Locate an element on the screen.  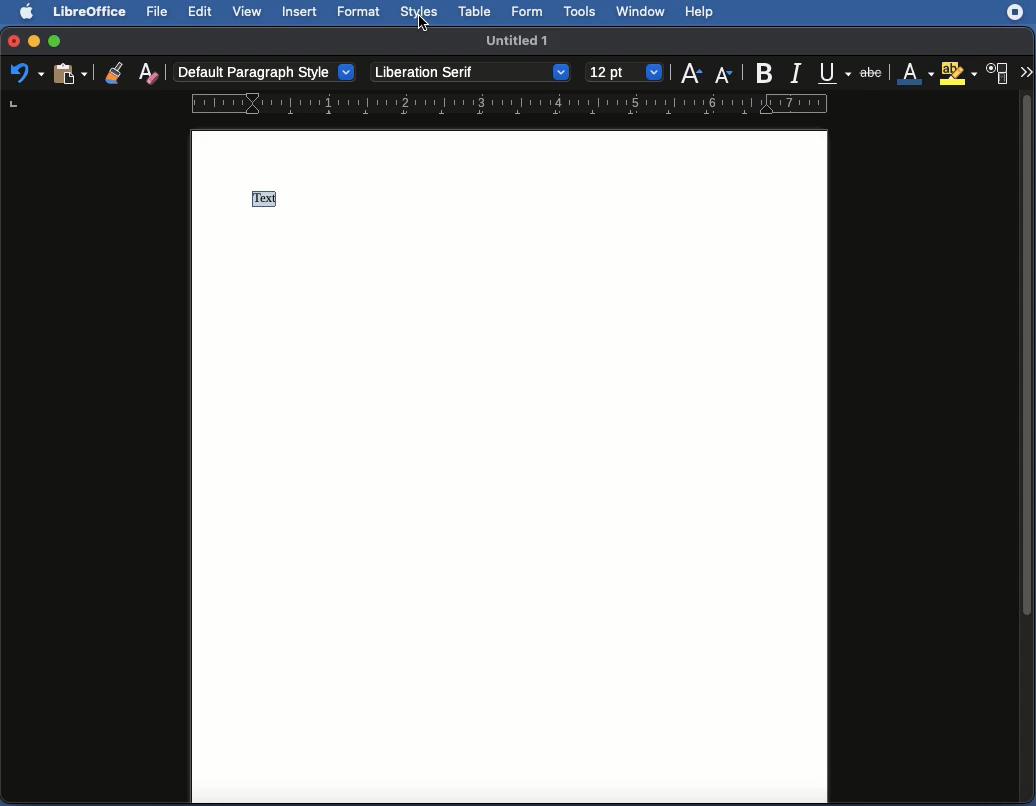
Tools is located at coordinates (580, 13).